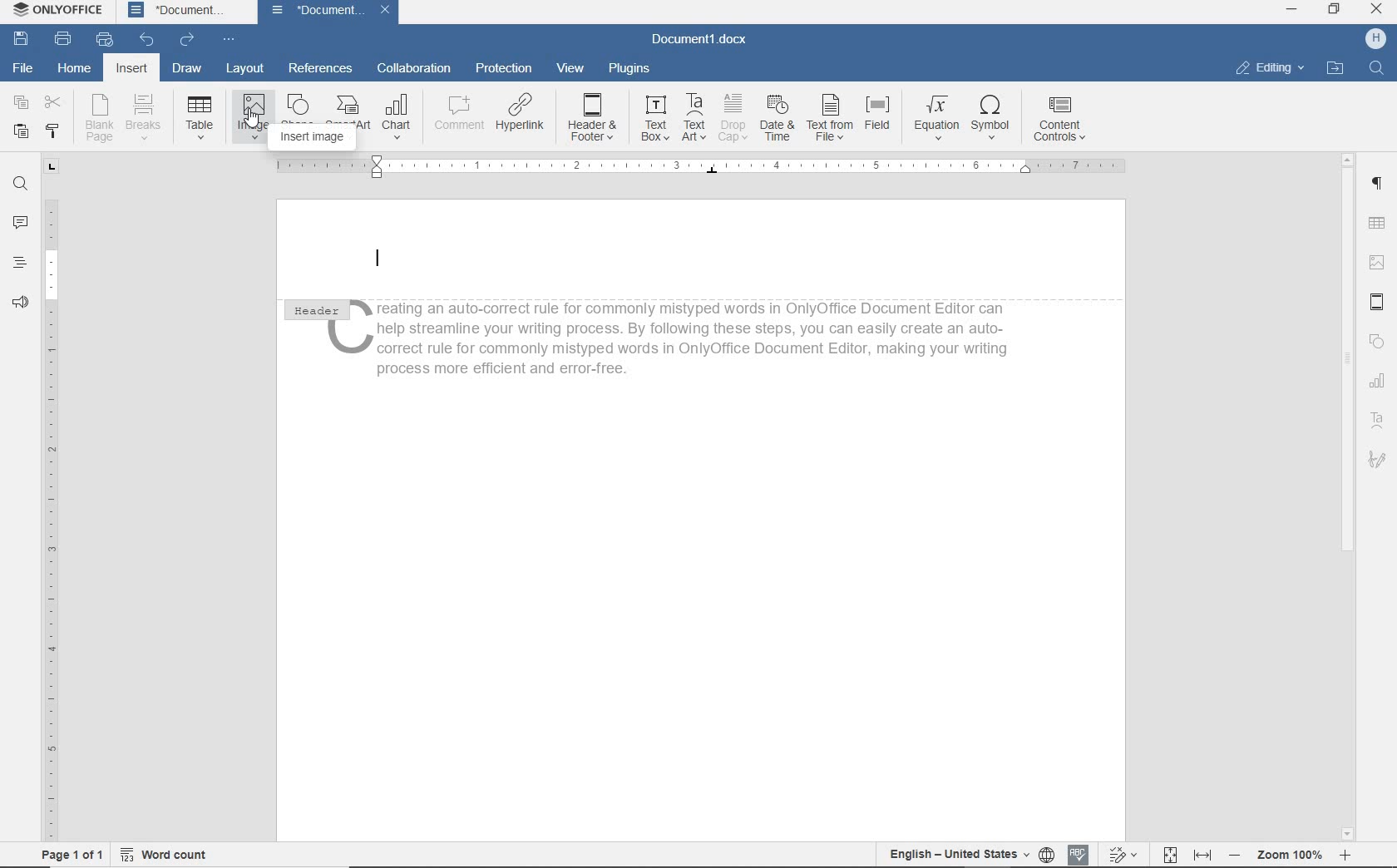 This screenshot has height=868, width=1397. Describe the element at coordinates (323, 70) in the screenshot. I see `REFERENCES` at that location.